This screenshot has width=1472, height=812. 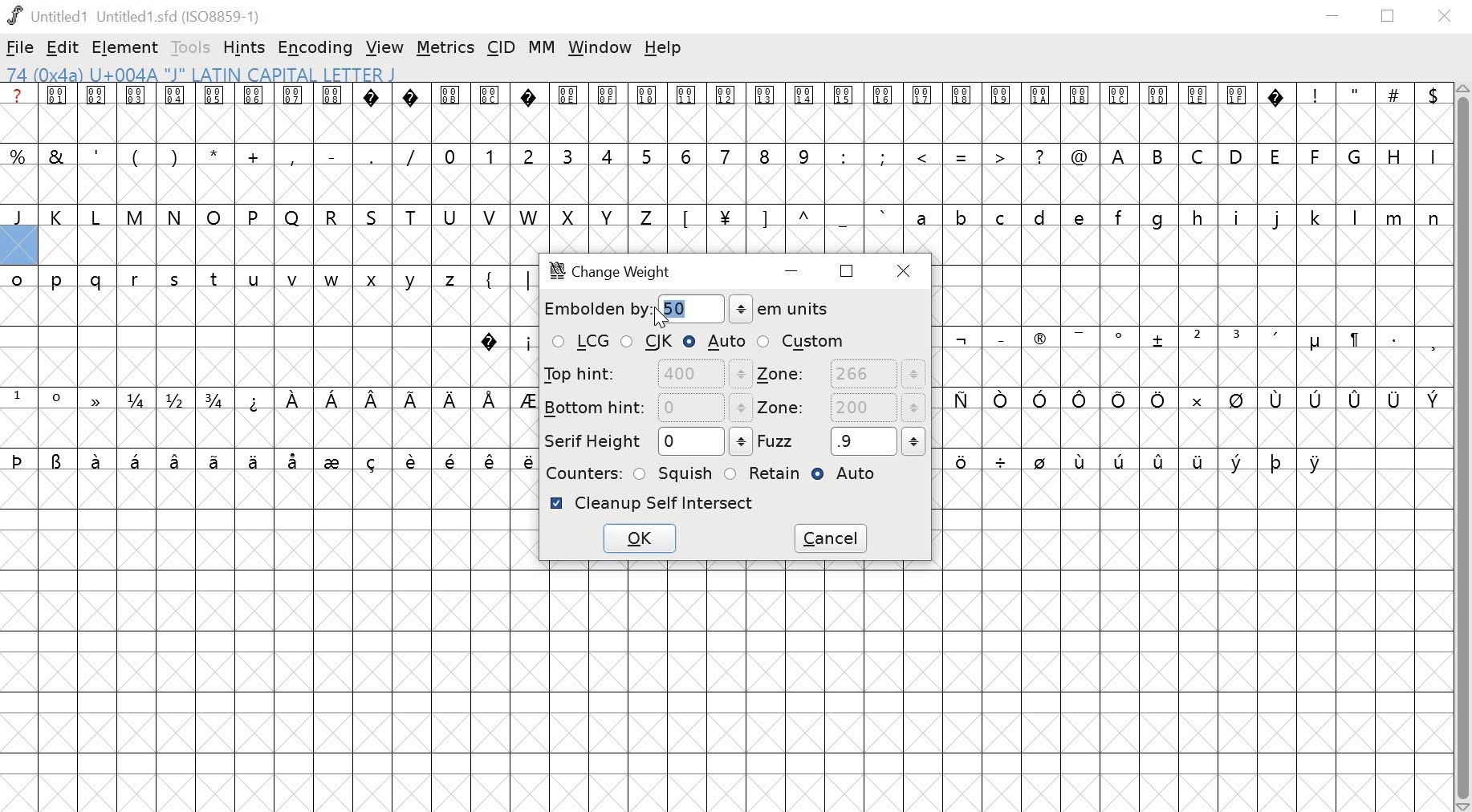 I want to click on ZONE, so click(x=841, y=375).